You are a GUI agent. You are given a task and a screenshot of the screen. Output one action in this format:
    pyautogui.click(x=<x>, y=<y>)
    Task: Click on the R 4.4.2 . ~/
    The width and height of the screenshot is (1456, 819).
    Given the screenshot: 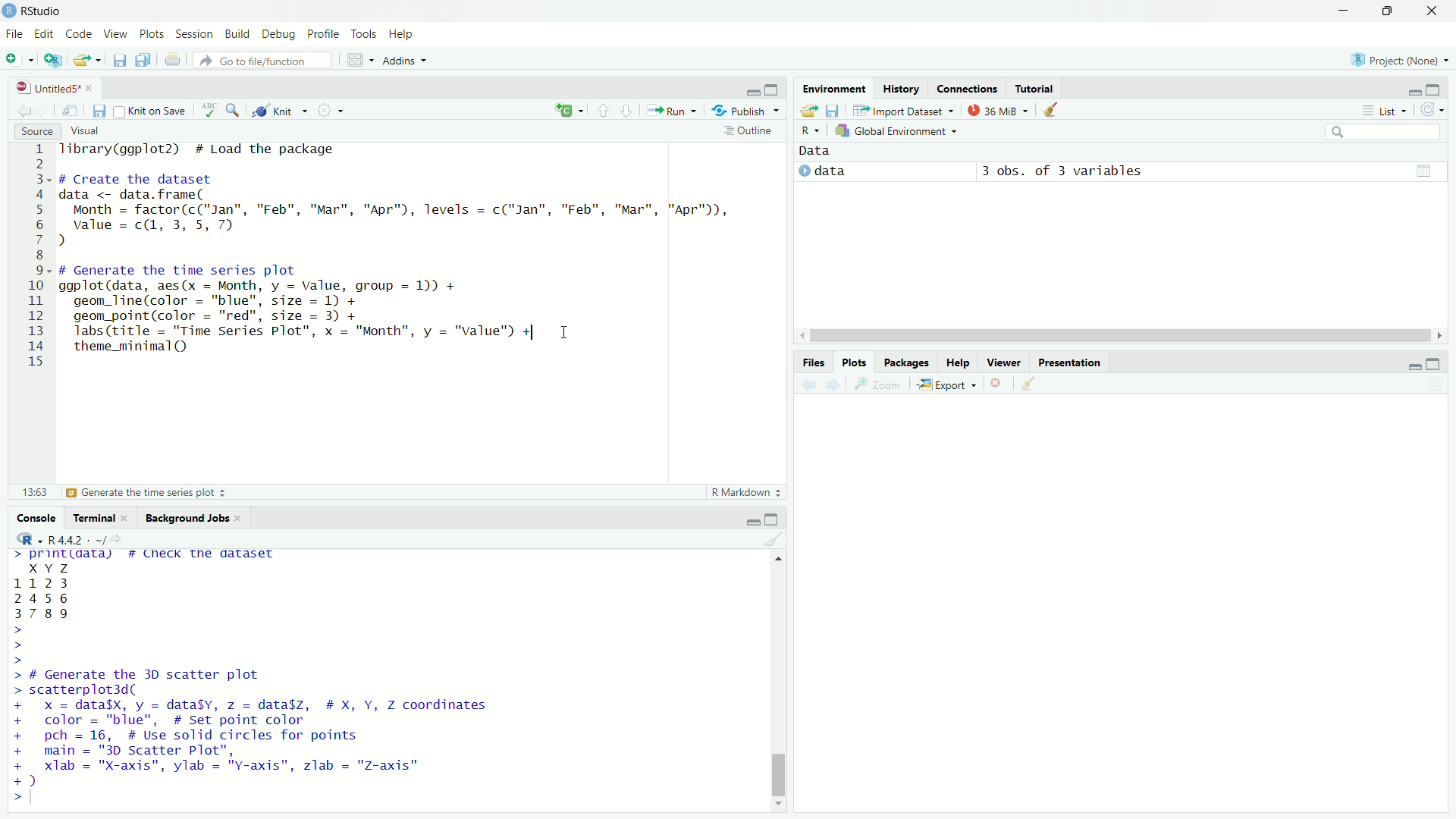 What is the action you would take?
    pyautogui.click(x=77, y=539)
    